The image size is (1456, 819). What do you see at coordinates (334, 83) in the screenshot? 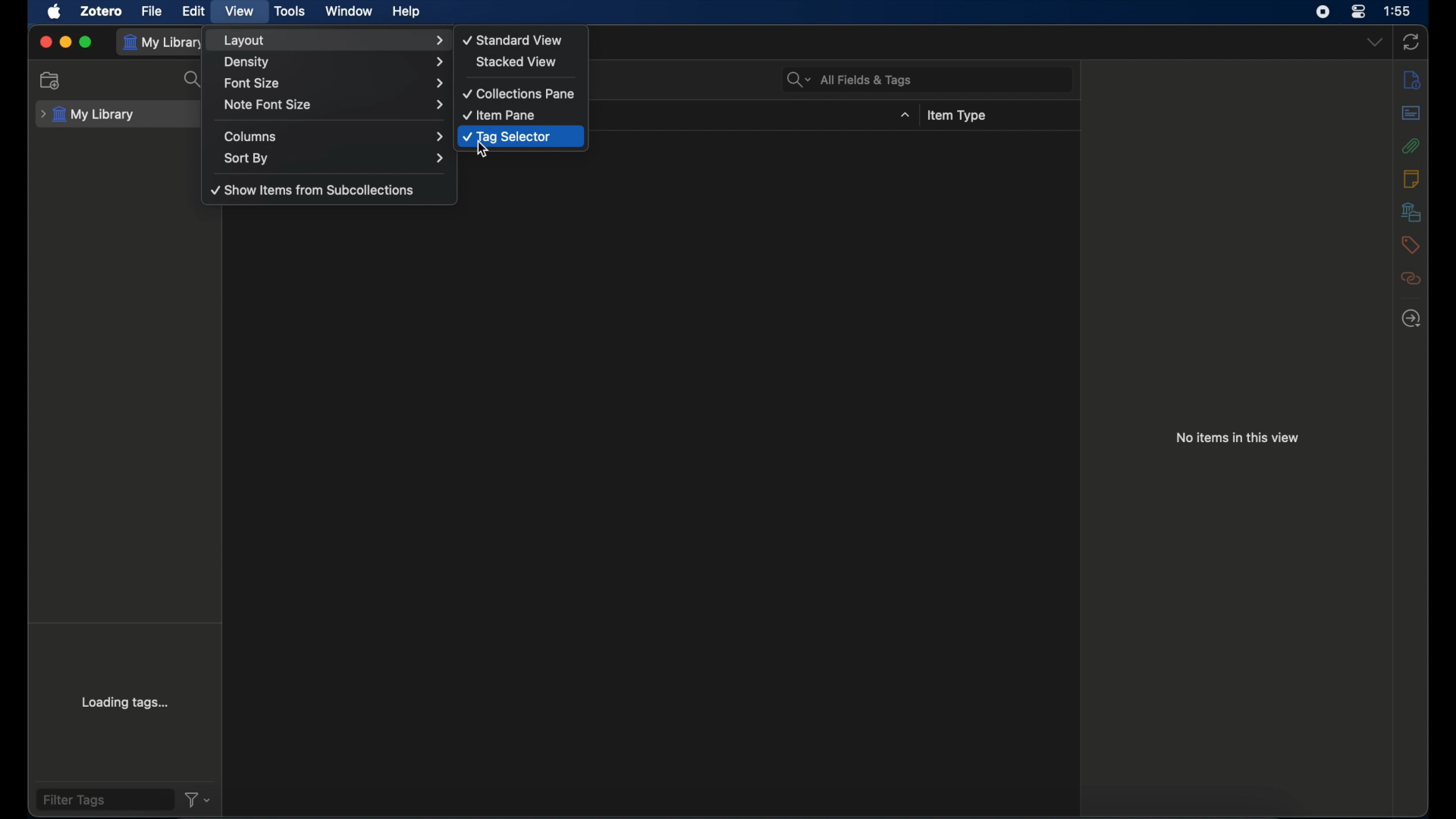
I see `font size` at bounding box center [334, 83].